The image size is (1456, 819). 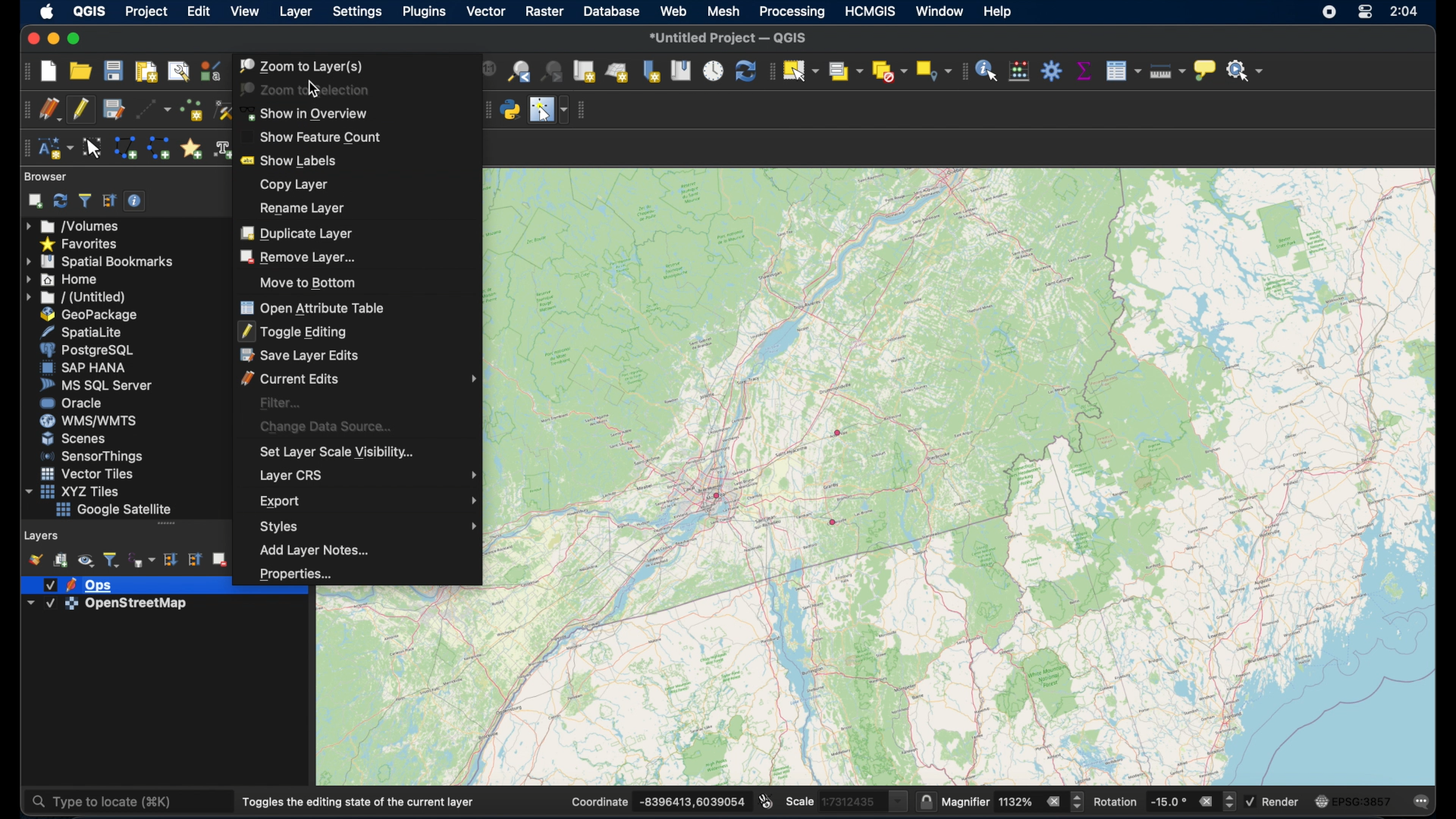 What do you see at coordinates (60, 560) in the screenshot?
I see `add group` at bounding box center [60, 560].